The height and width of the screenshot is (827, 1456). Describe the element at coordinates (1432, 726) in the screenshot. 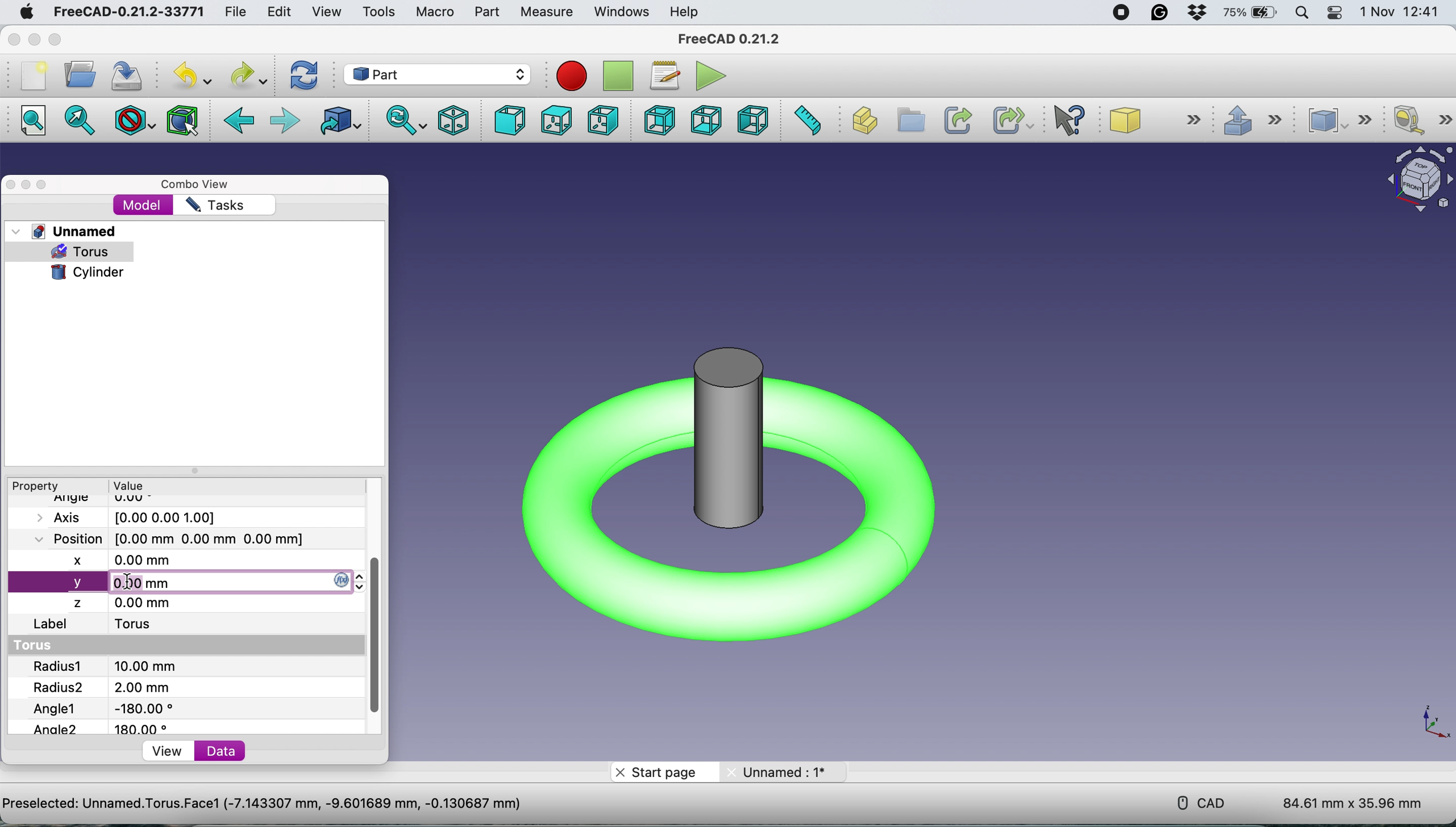

I see `xy coordinate` at that location.